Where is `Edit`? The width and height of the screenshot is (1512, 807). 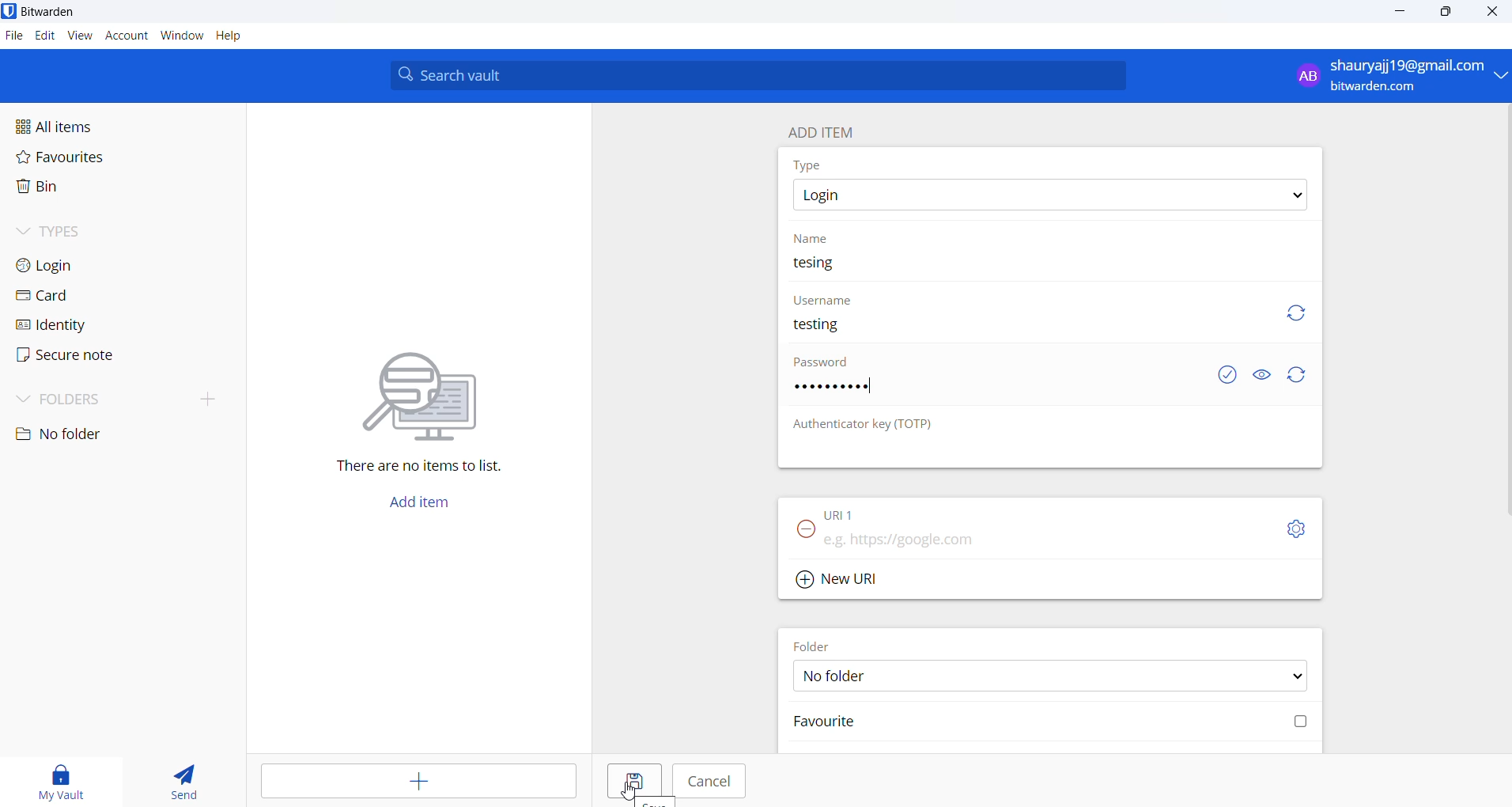
Edit is located at coordinates (44, 36).